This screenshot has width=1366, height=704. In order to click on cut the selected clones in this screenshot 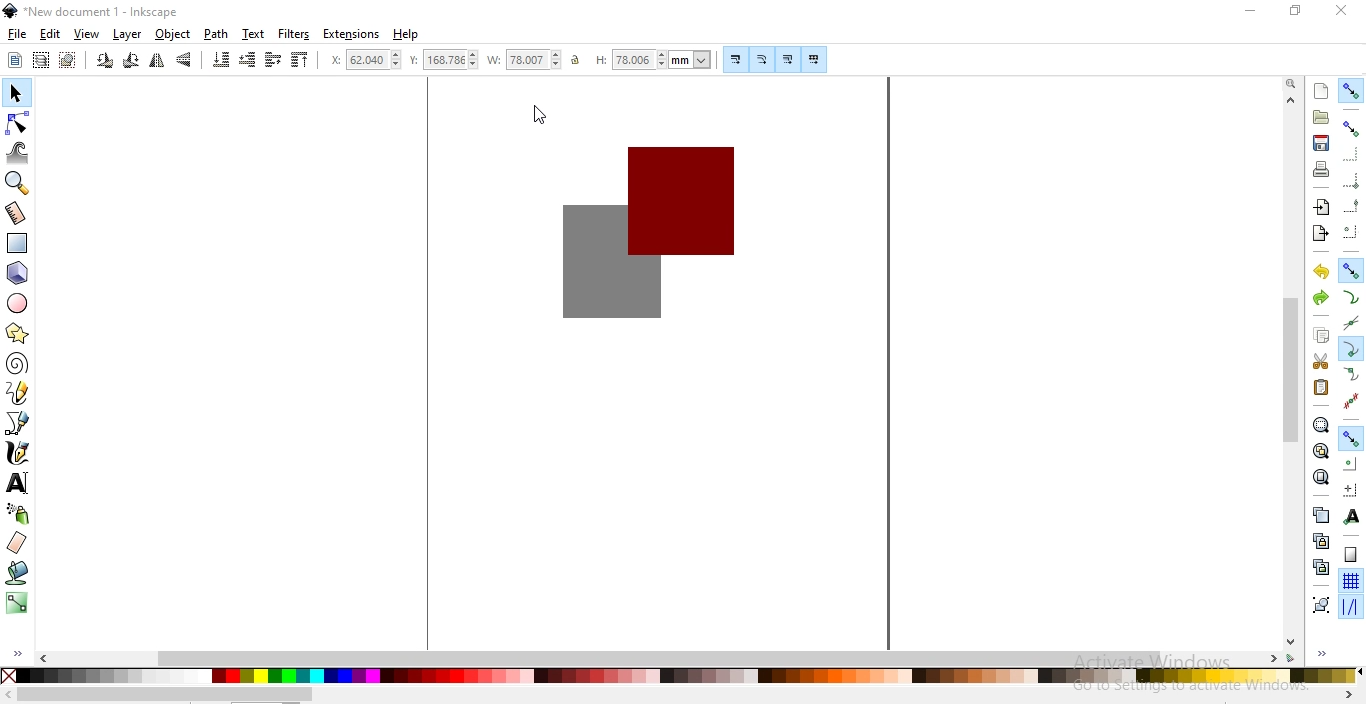, I will do `click(1321, 566)`.